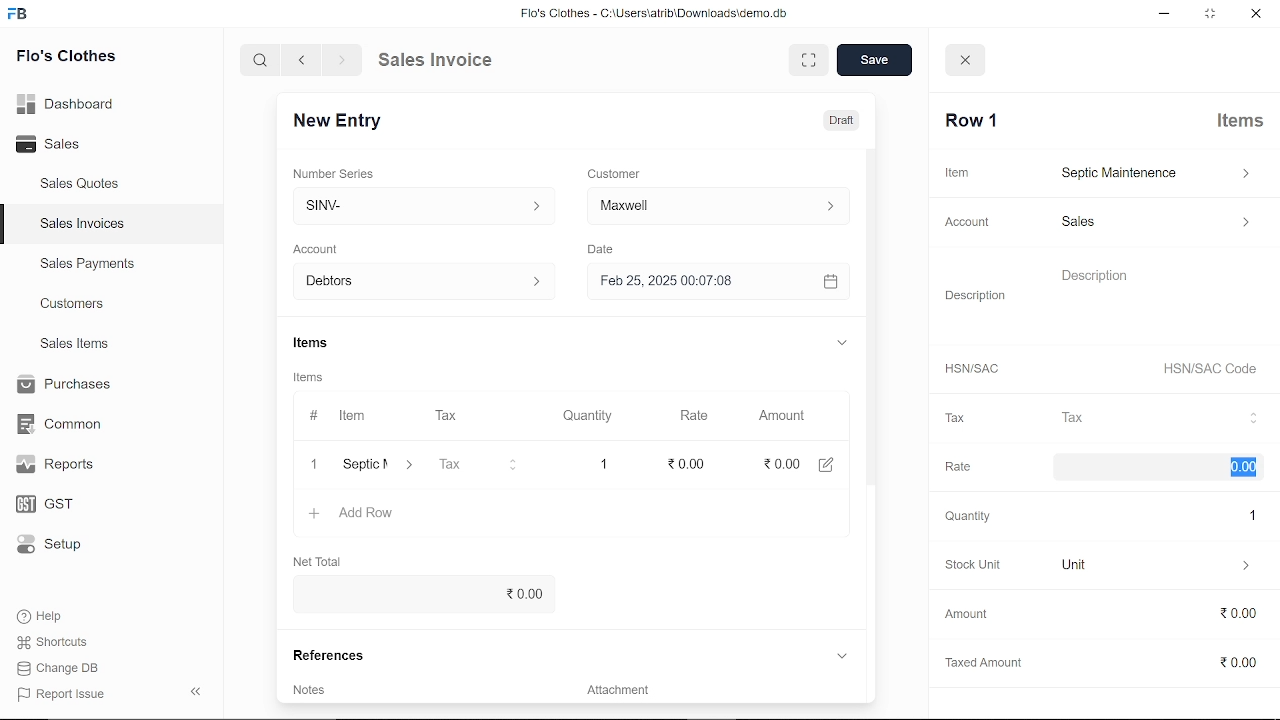 The image size is (1280, 720). Describe the element at coordinates (843, 118) in the screenshot. I see `Draft` at that location.